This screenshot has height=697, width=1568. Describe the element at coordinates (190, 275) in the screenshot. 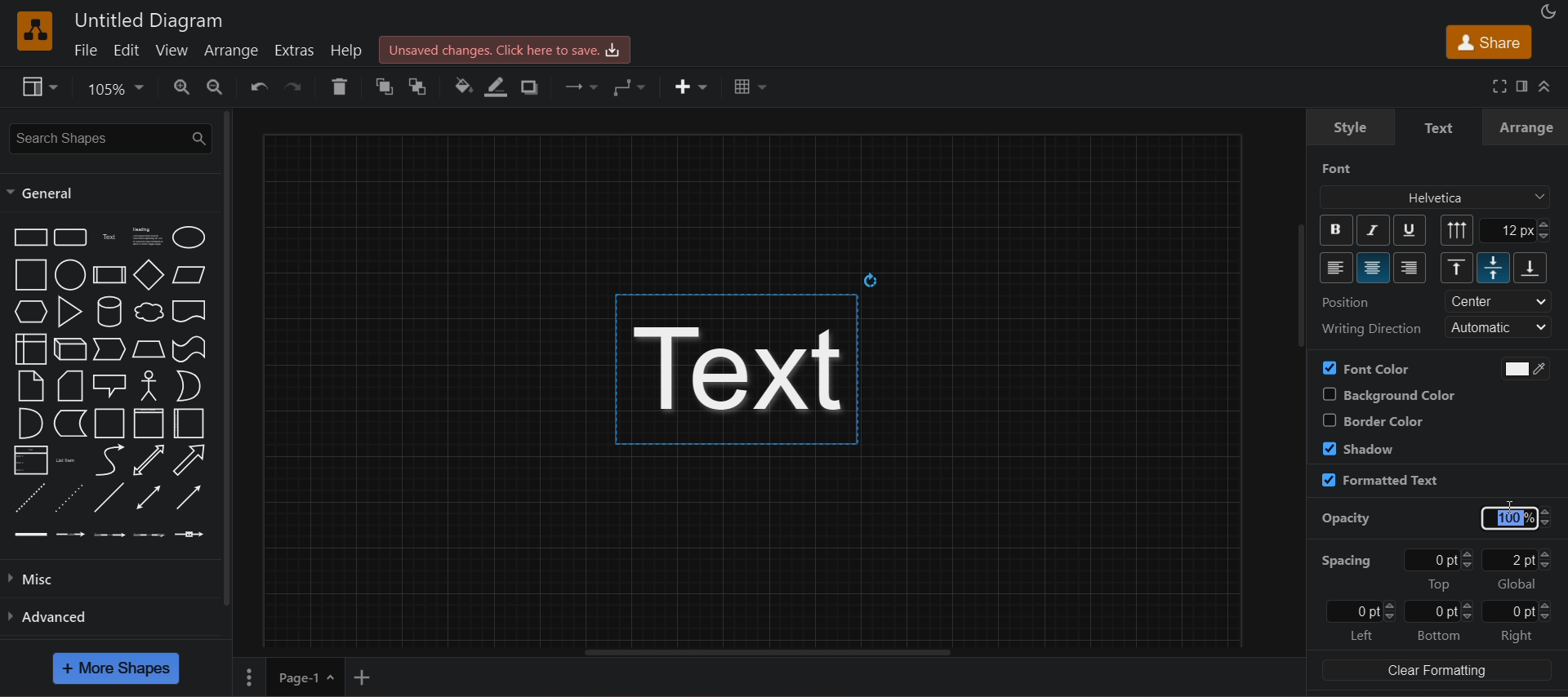

I see `parallelogram` at that location.